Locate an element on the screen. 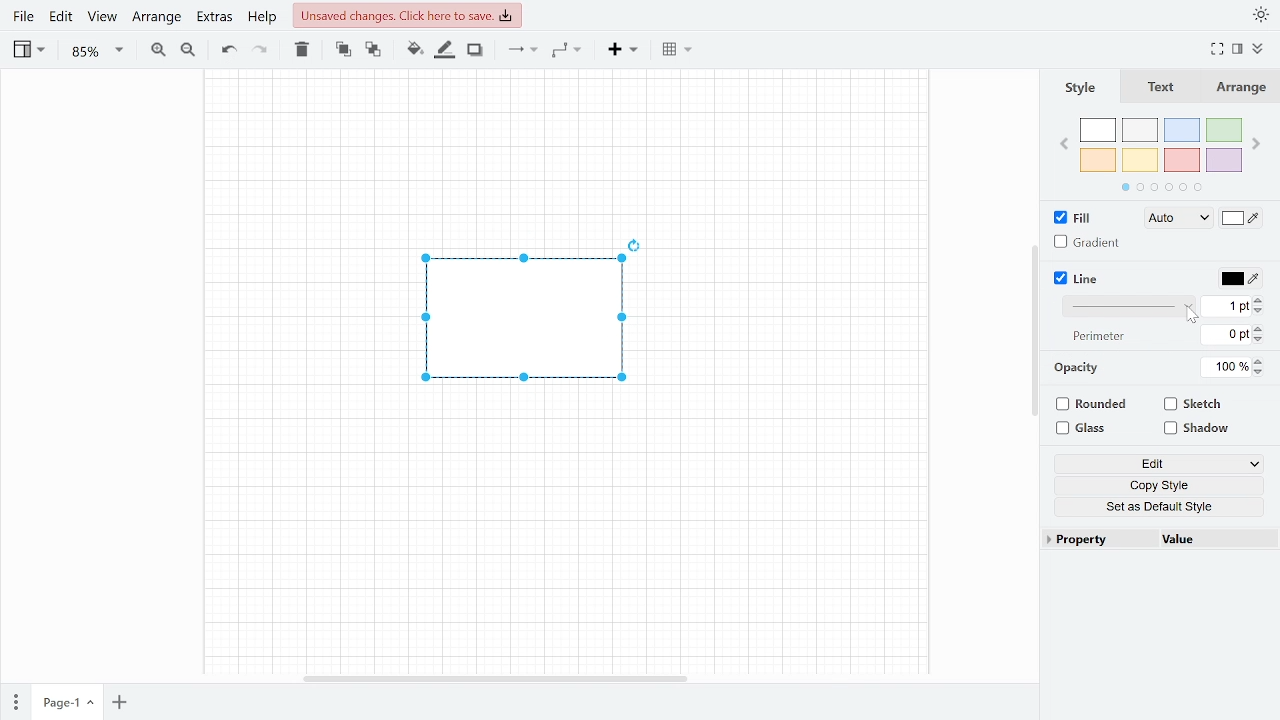  Style is located at coordinates (1081, 84).